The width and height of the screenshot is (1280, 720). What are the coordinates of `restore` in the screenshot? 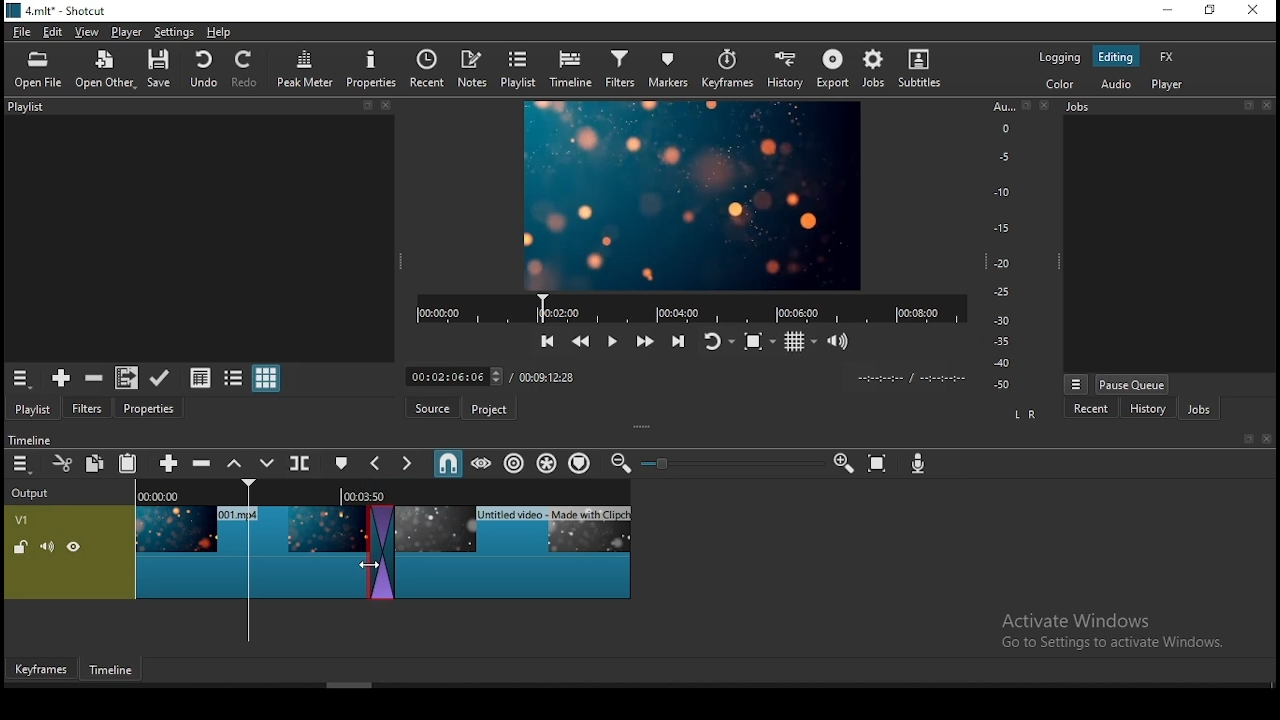 It's located at (1212, 11).